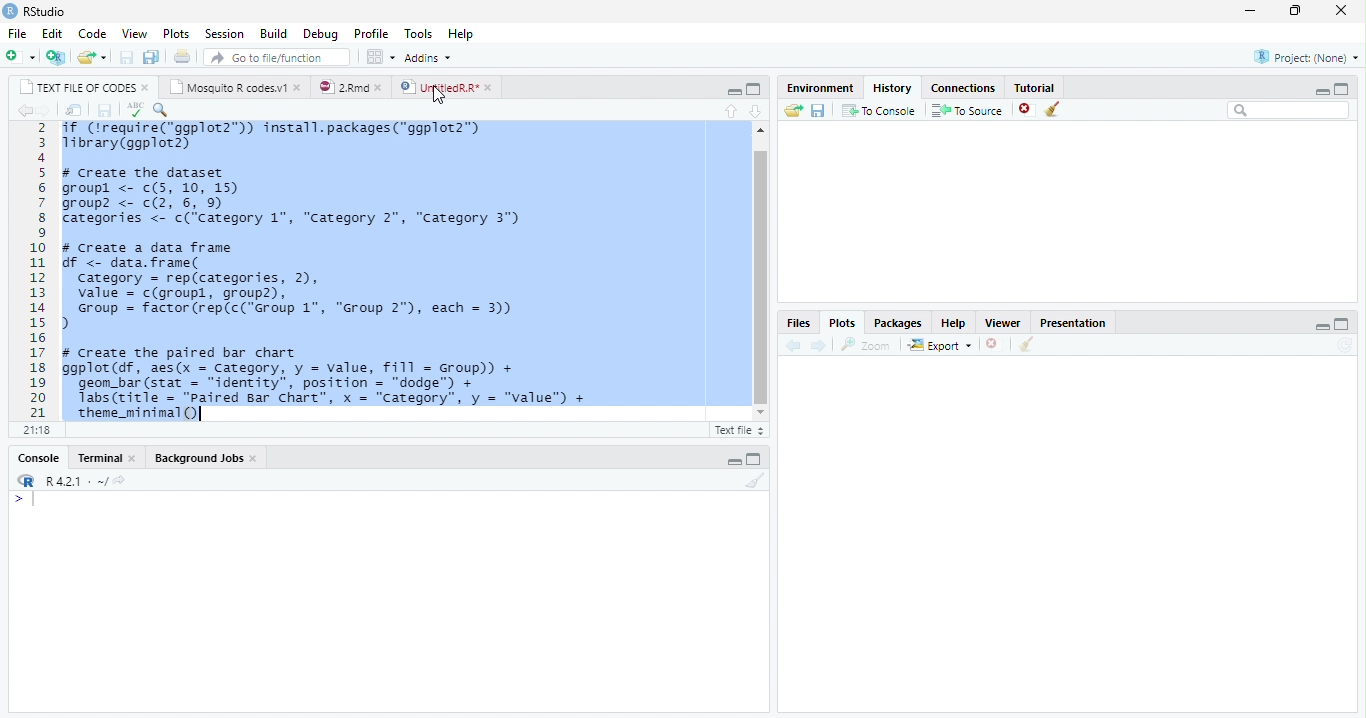 The height and width of the screenshot is (718, 1366). Describe the element at coordinates (153, 56) in the screenshot. I see `save all document` at that location.